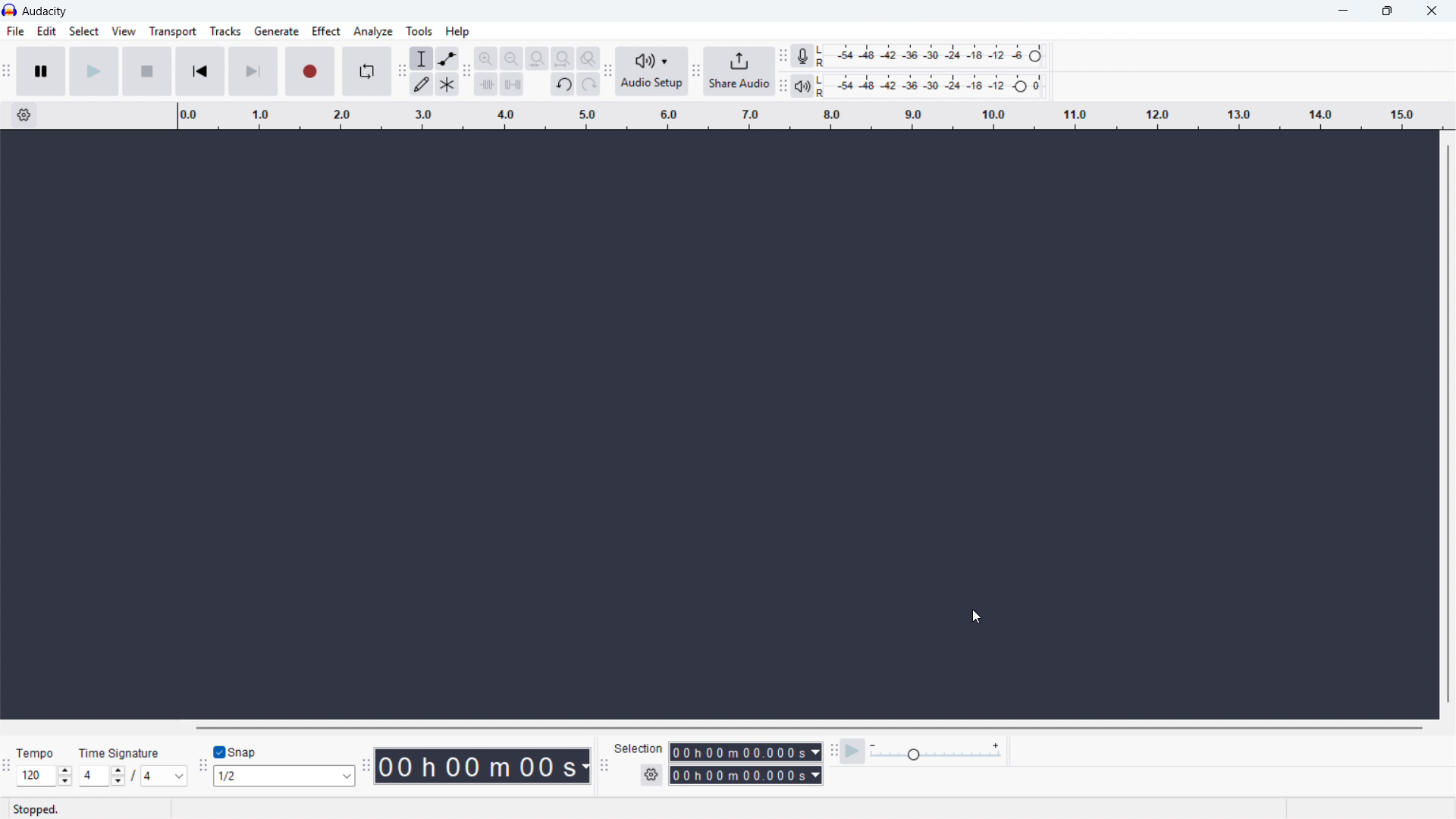 The width and height of the screenshot is (1456, 819). I want to click on timeline settings, so click(24, 115).